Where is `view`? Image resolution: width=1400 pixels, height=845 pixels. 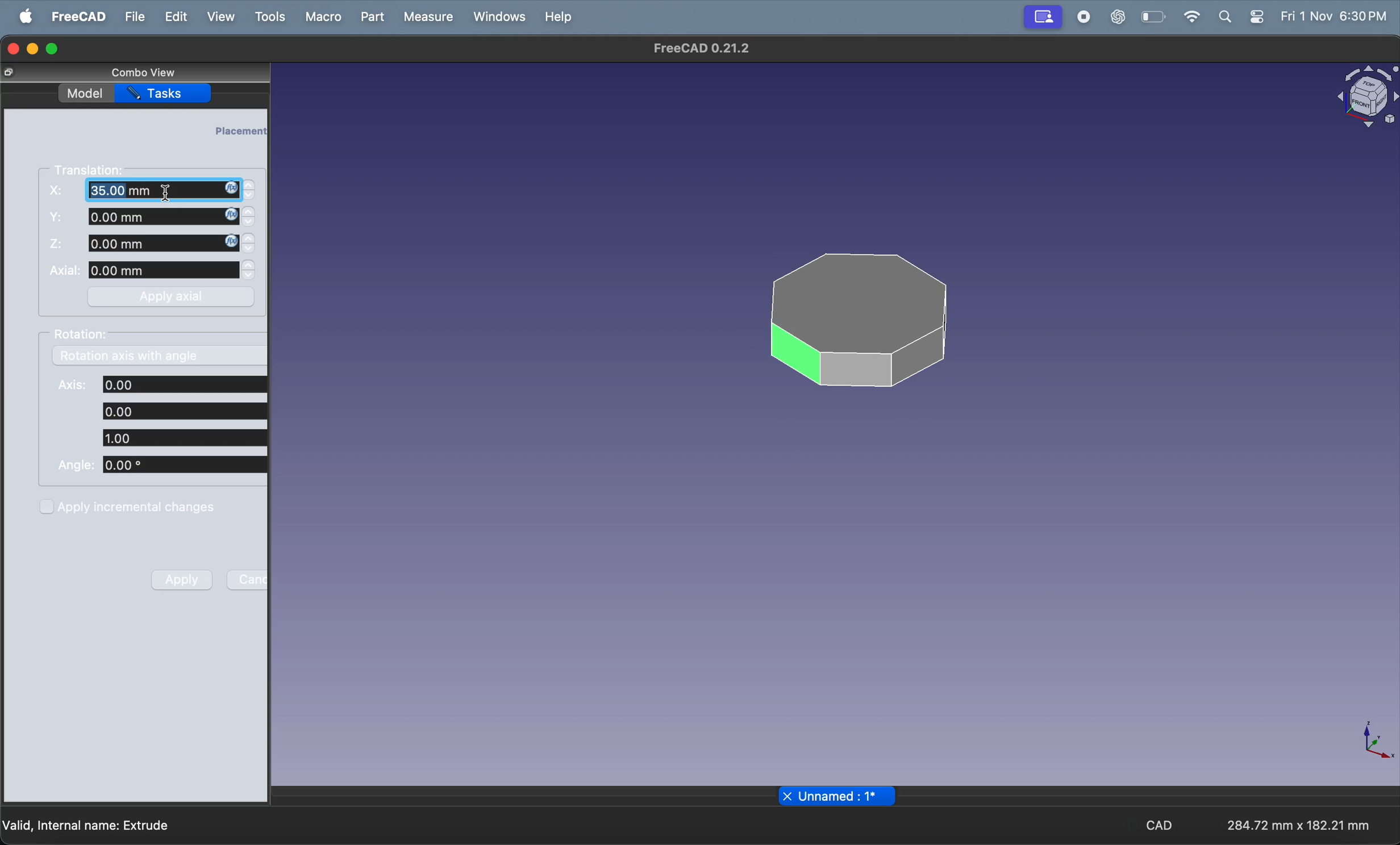 view is located at coordinates (220, 18).